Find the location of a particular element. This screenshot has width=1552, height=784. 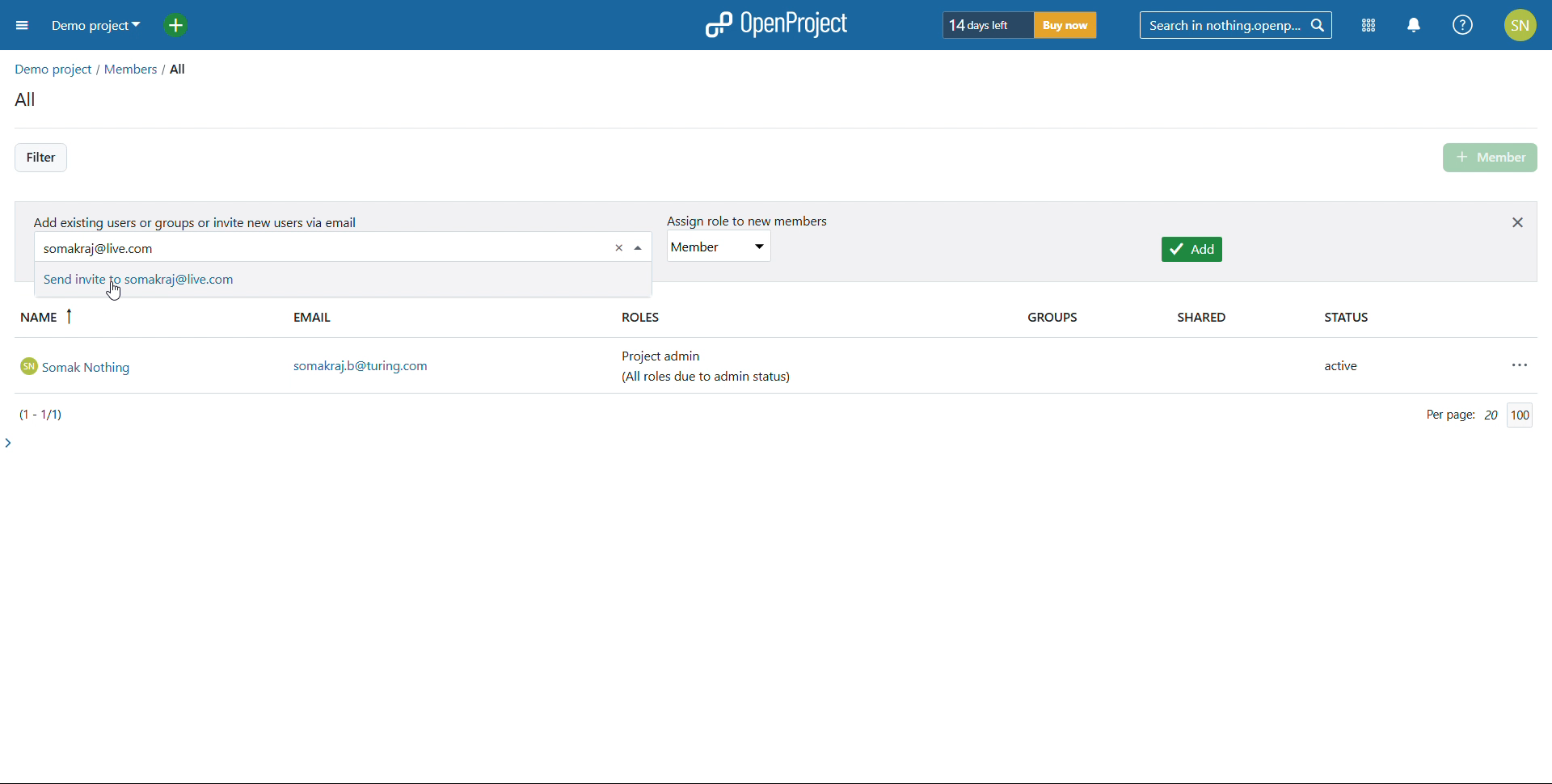

filter is located at coordinates (40, 158).